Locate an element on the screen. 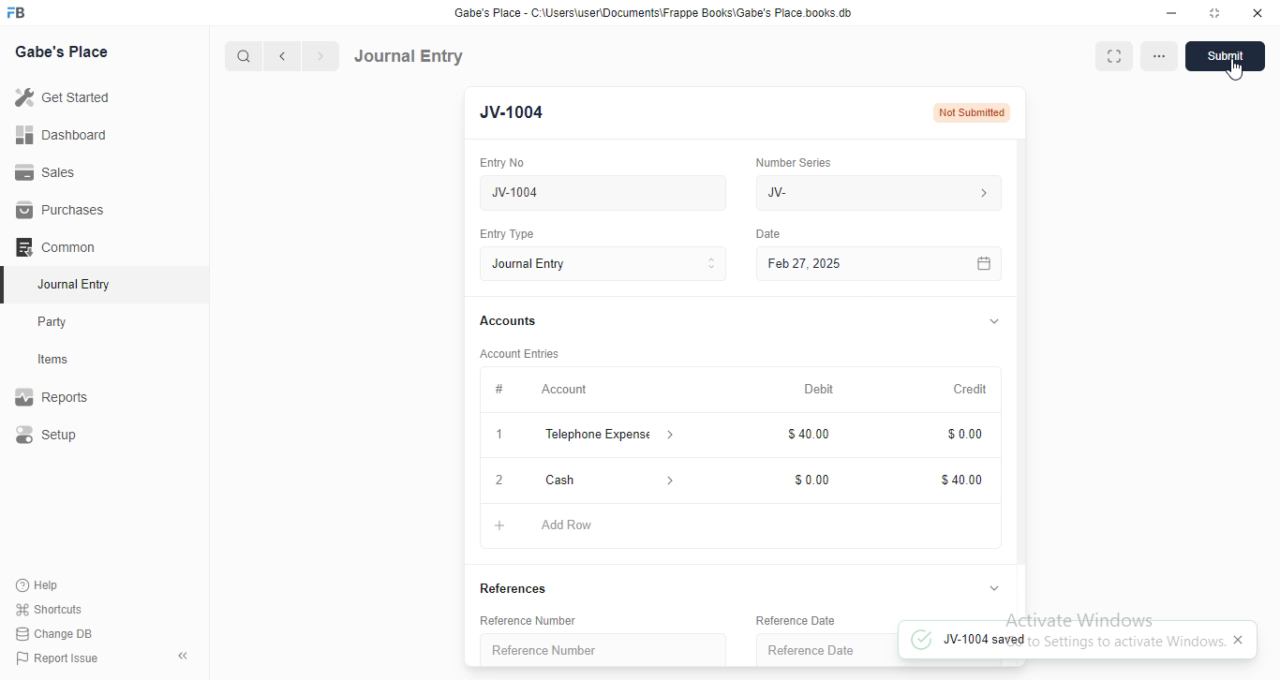 This screenshot has height=680, width=1280. FB is located at coordinates (19, 11).